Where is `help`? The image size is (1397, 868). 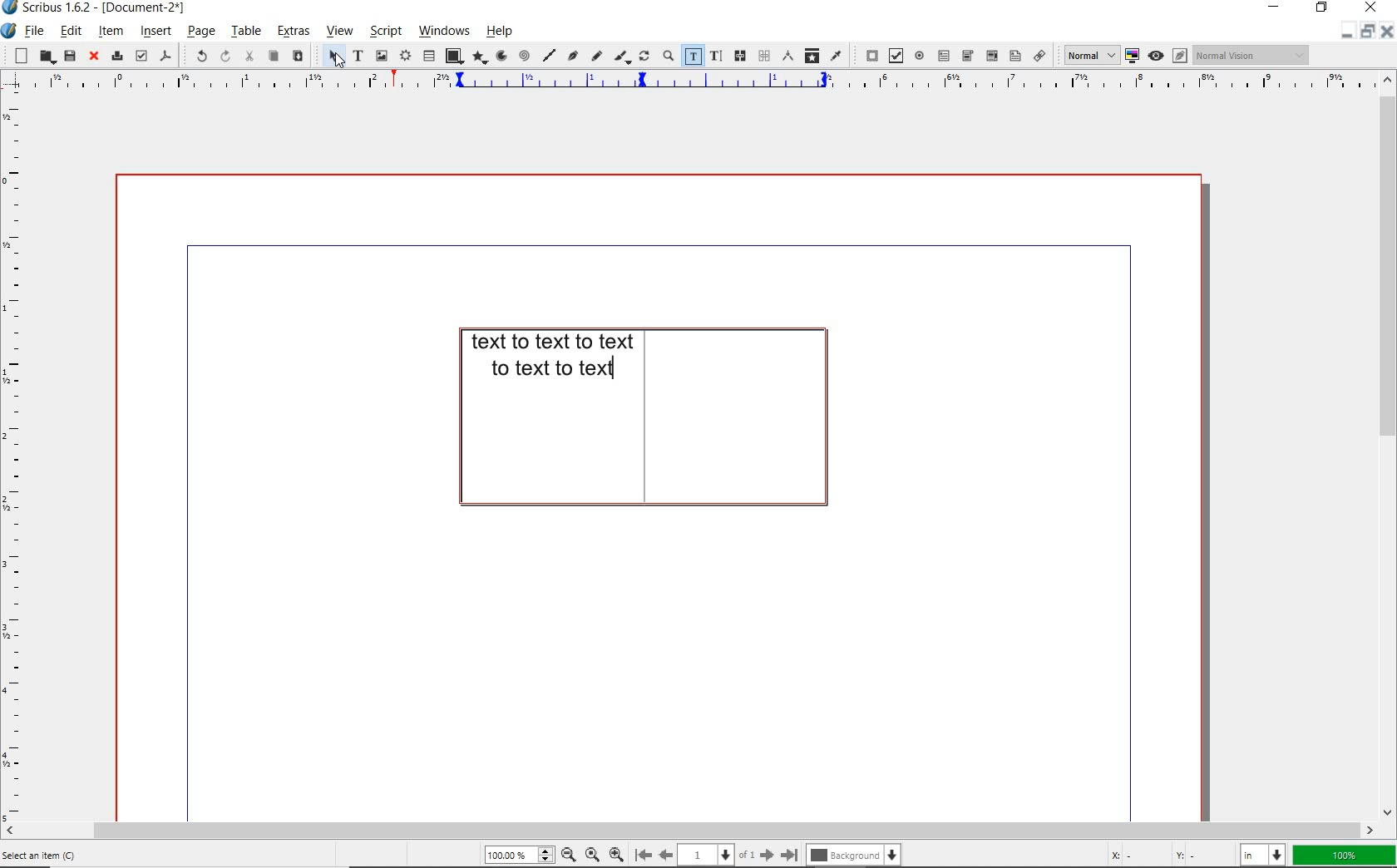
help is located at coordinates (499, 31).